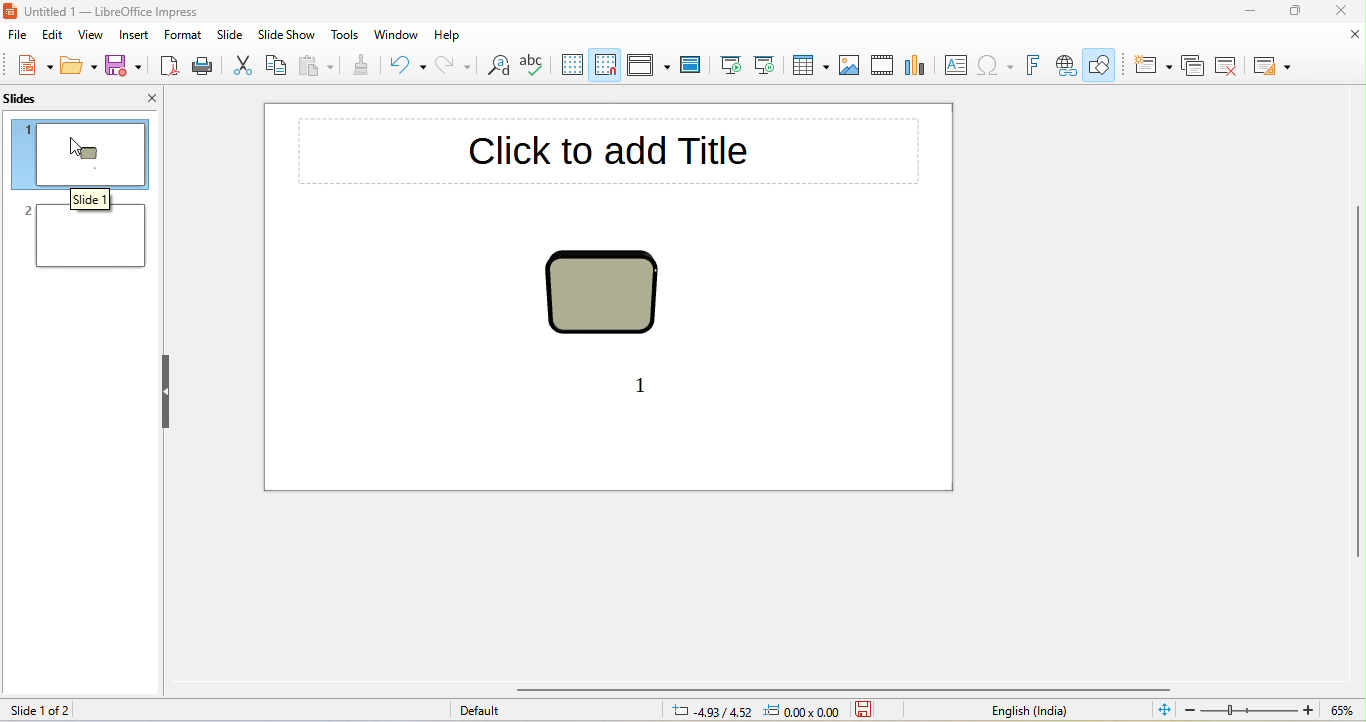 The image size is (1366, 722). Describe the element at coordinates (957, 711) in the screenshot. I see `text language` at that location.